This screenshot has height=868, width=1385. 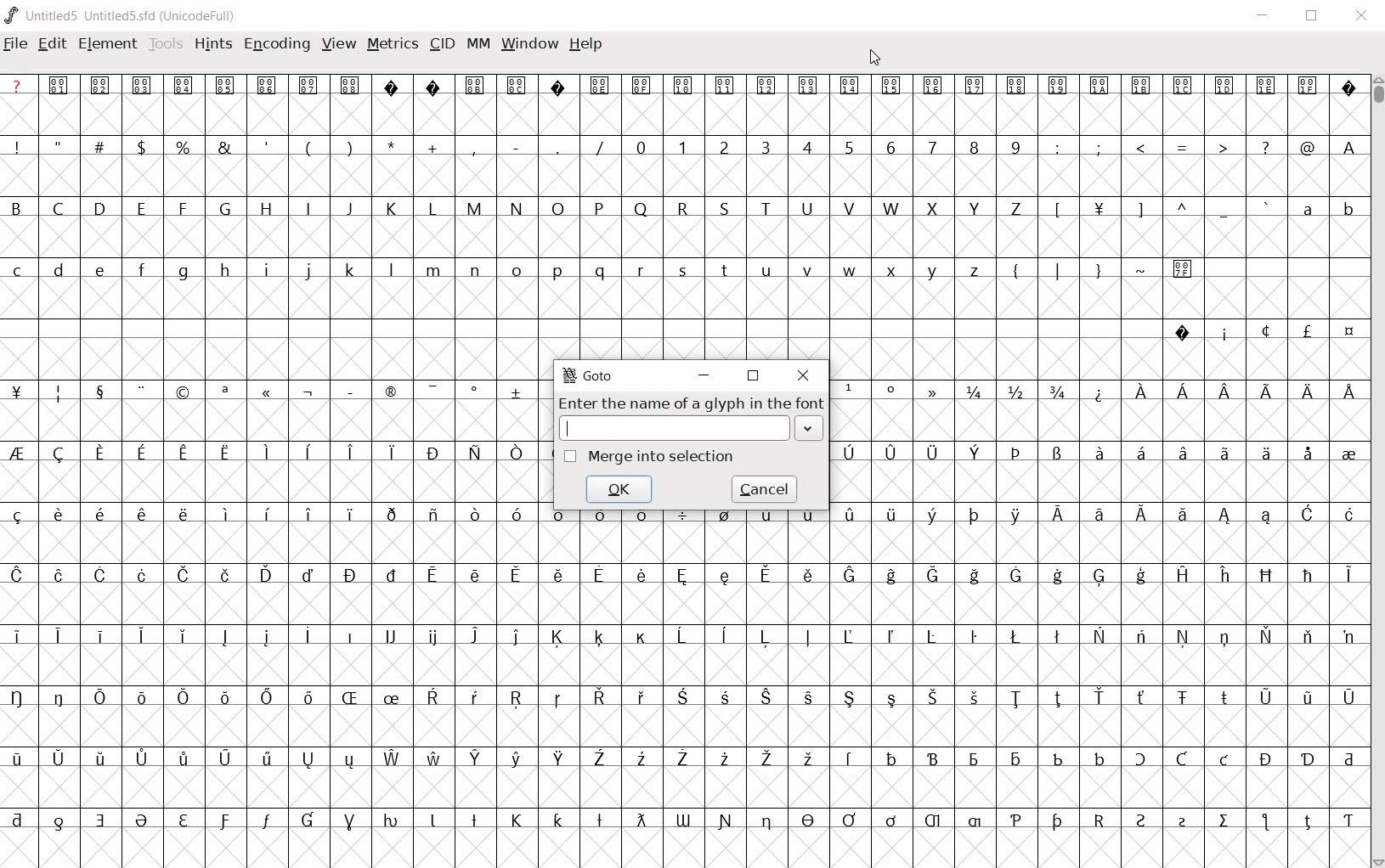 What do you see at coordinates (432, 757) in the screenshot?
I see `Symbol` at bounding box center [432, 757].